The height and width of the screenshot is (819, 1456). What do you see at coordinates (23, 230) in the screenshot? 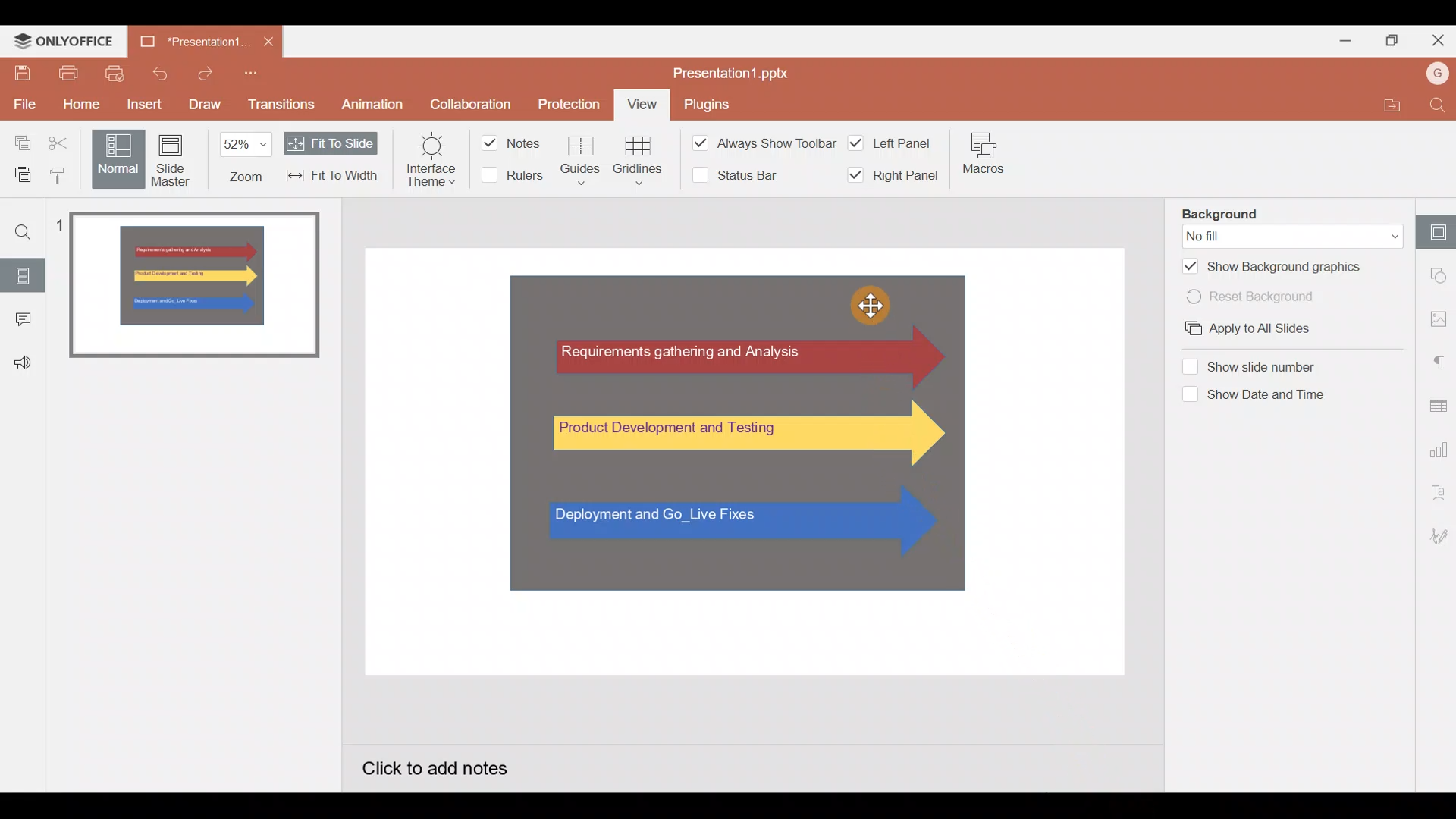
I see `Find` at bounding box center [23, 230].